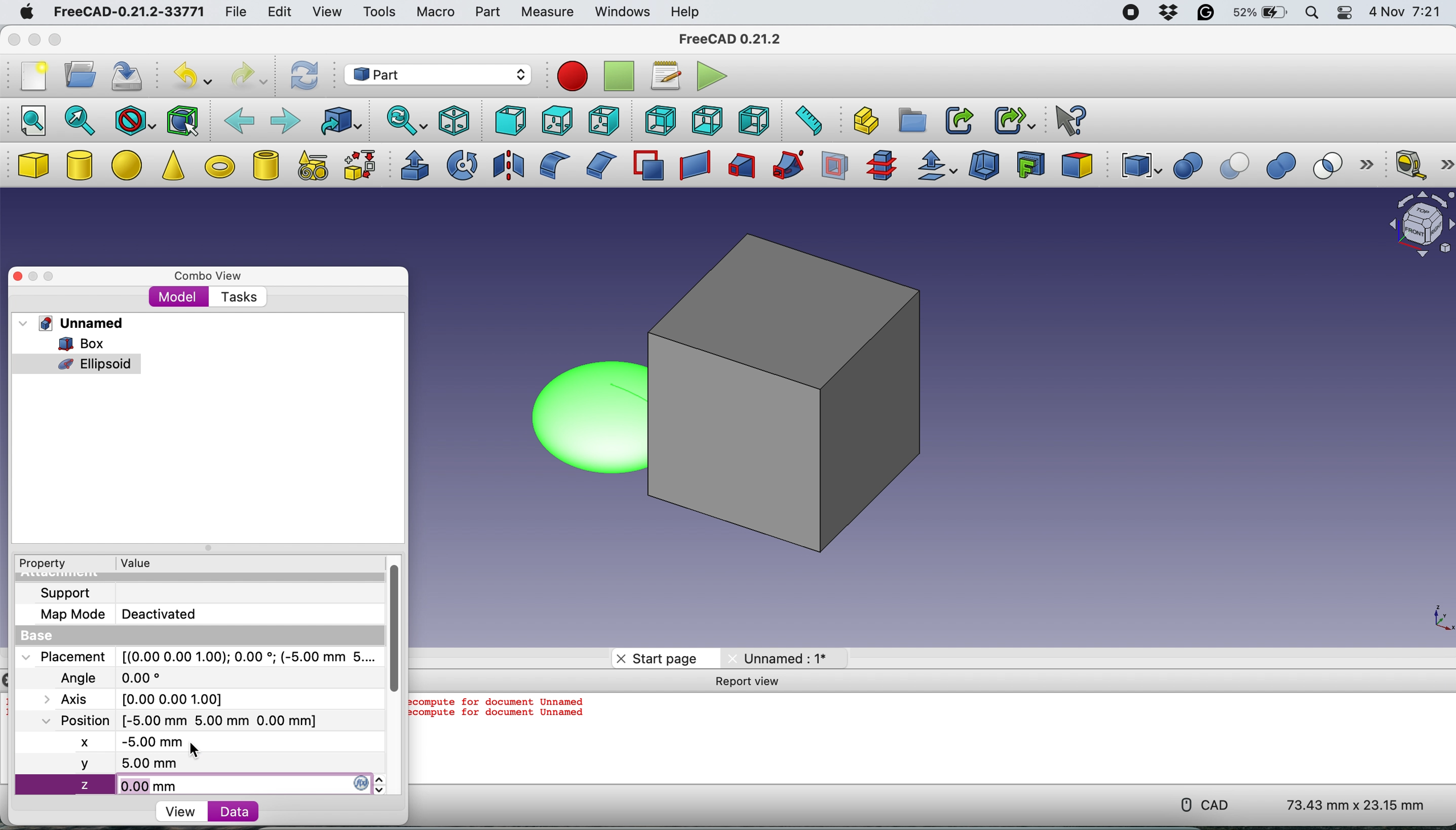 This screenshot has height=830, width=1456. Describe the element at coordinates (708, 121) in the screenshot. I see `bottom` at that location.